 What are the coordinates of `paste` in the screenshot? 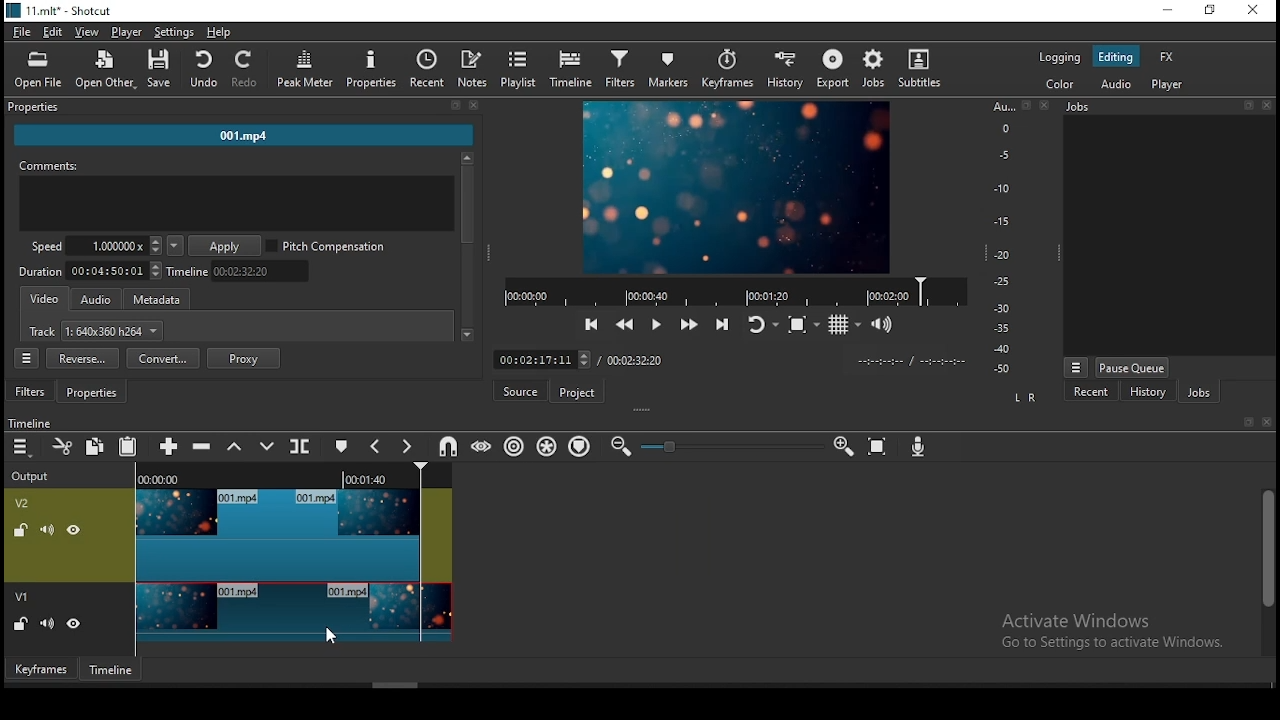 It's located at (127, 449).